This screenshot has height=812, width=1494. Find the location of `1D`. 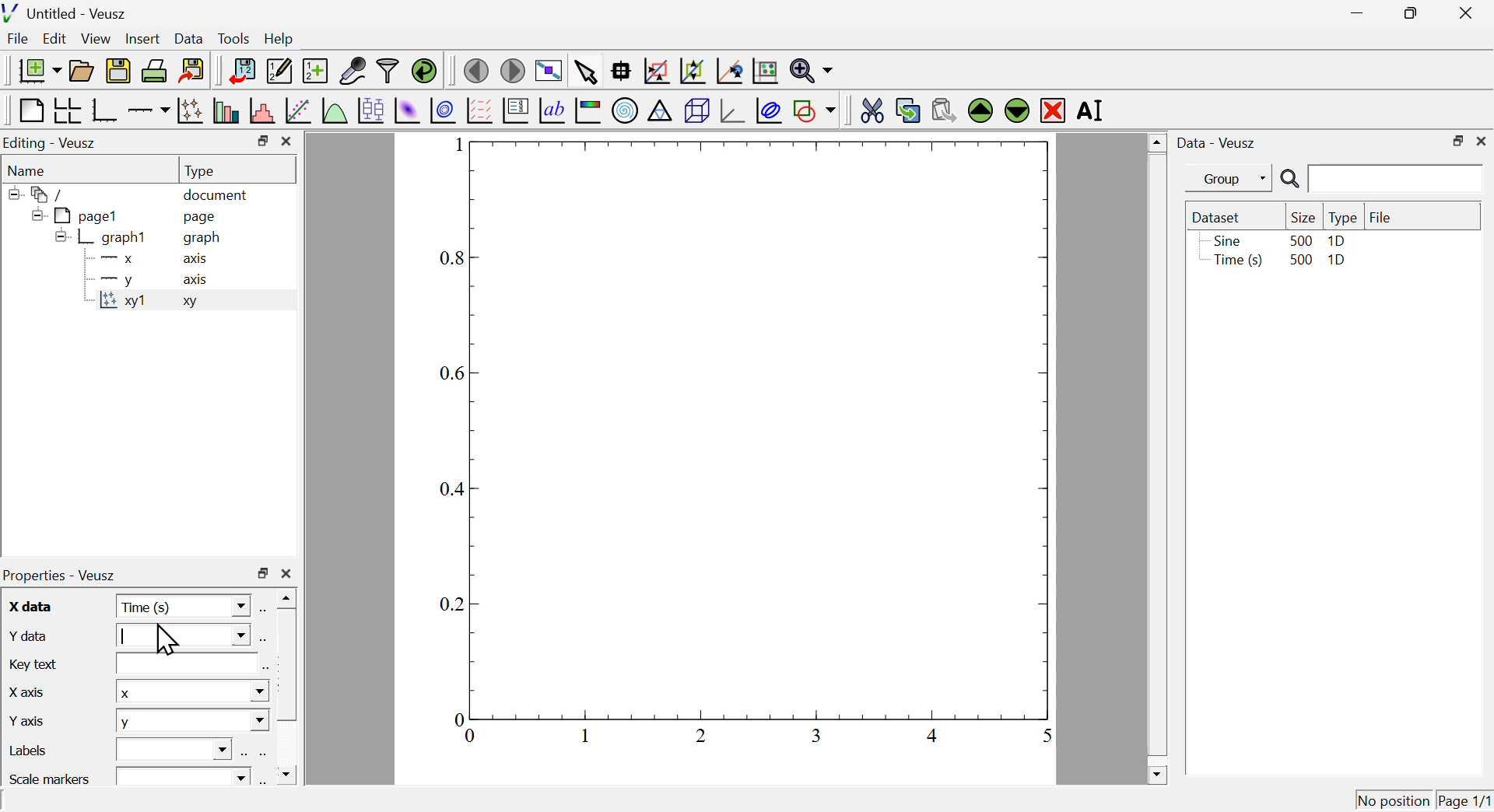

1D is located at coordinates (1337, 241).